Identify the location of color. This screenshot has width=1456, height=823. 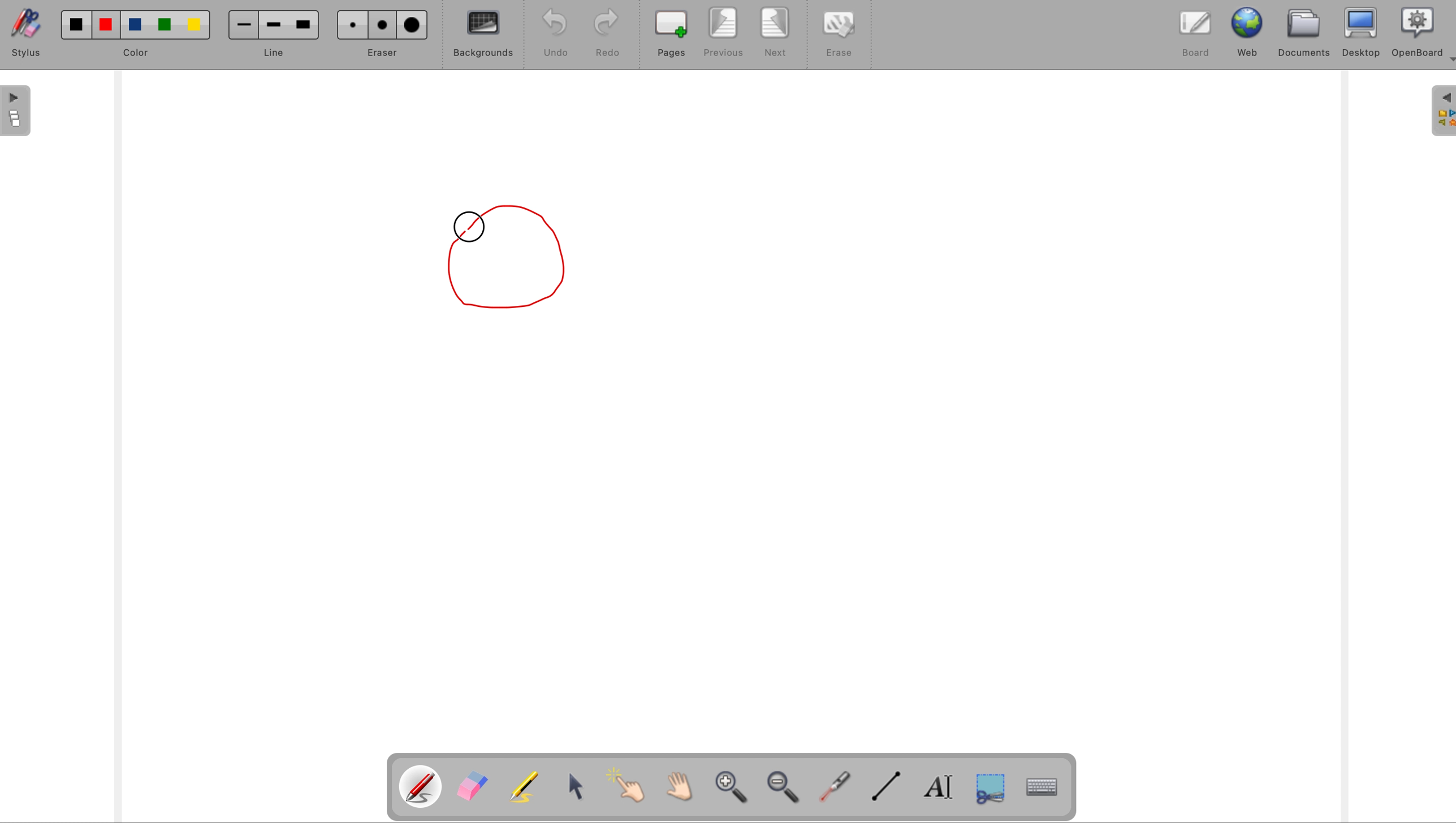
(138, 34).